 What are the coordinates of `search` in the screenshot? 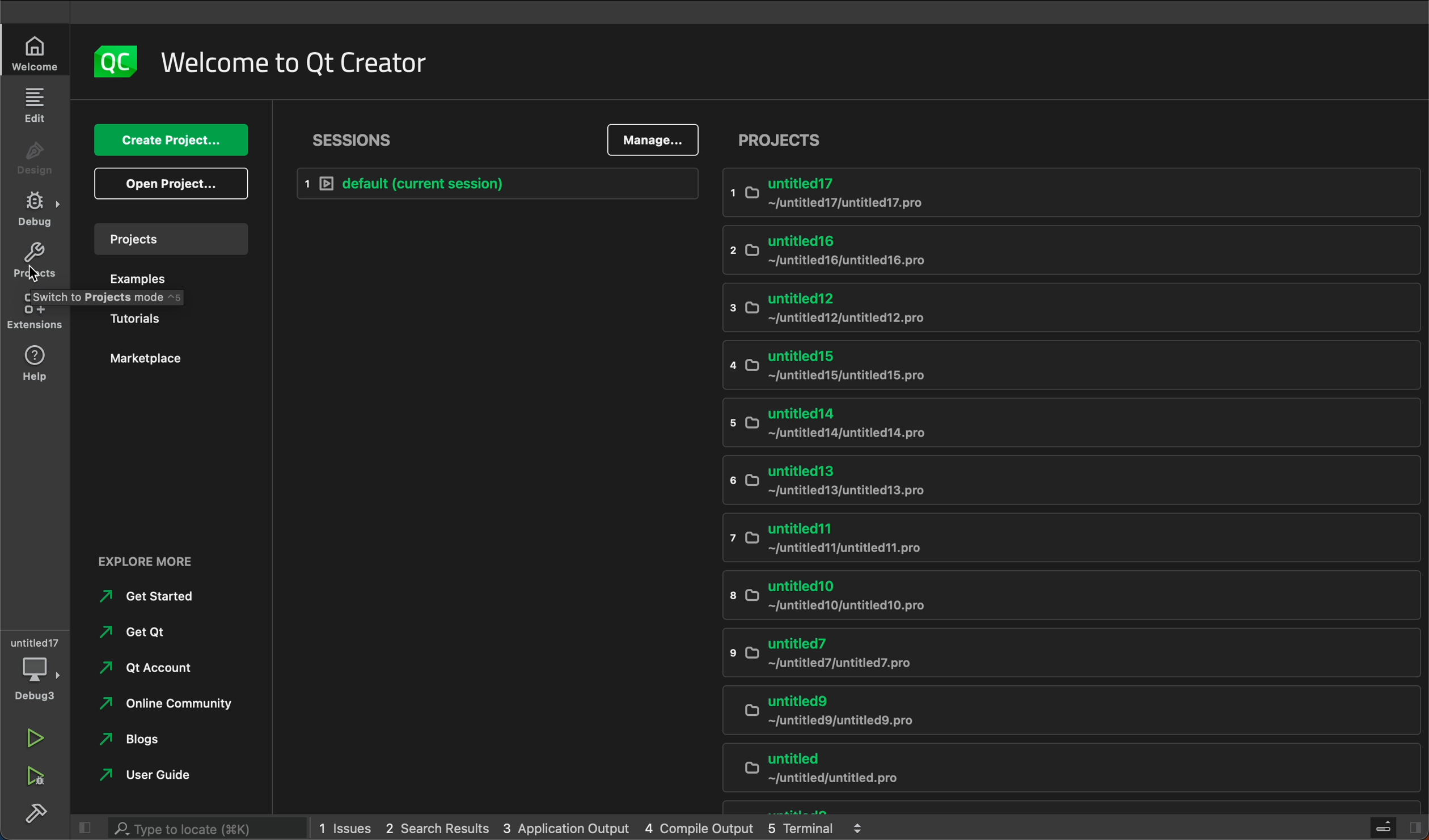 It's located at (192, 828).